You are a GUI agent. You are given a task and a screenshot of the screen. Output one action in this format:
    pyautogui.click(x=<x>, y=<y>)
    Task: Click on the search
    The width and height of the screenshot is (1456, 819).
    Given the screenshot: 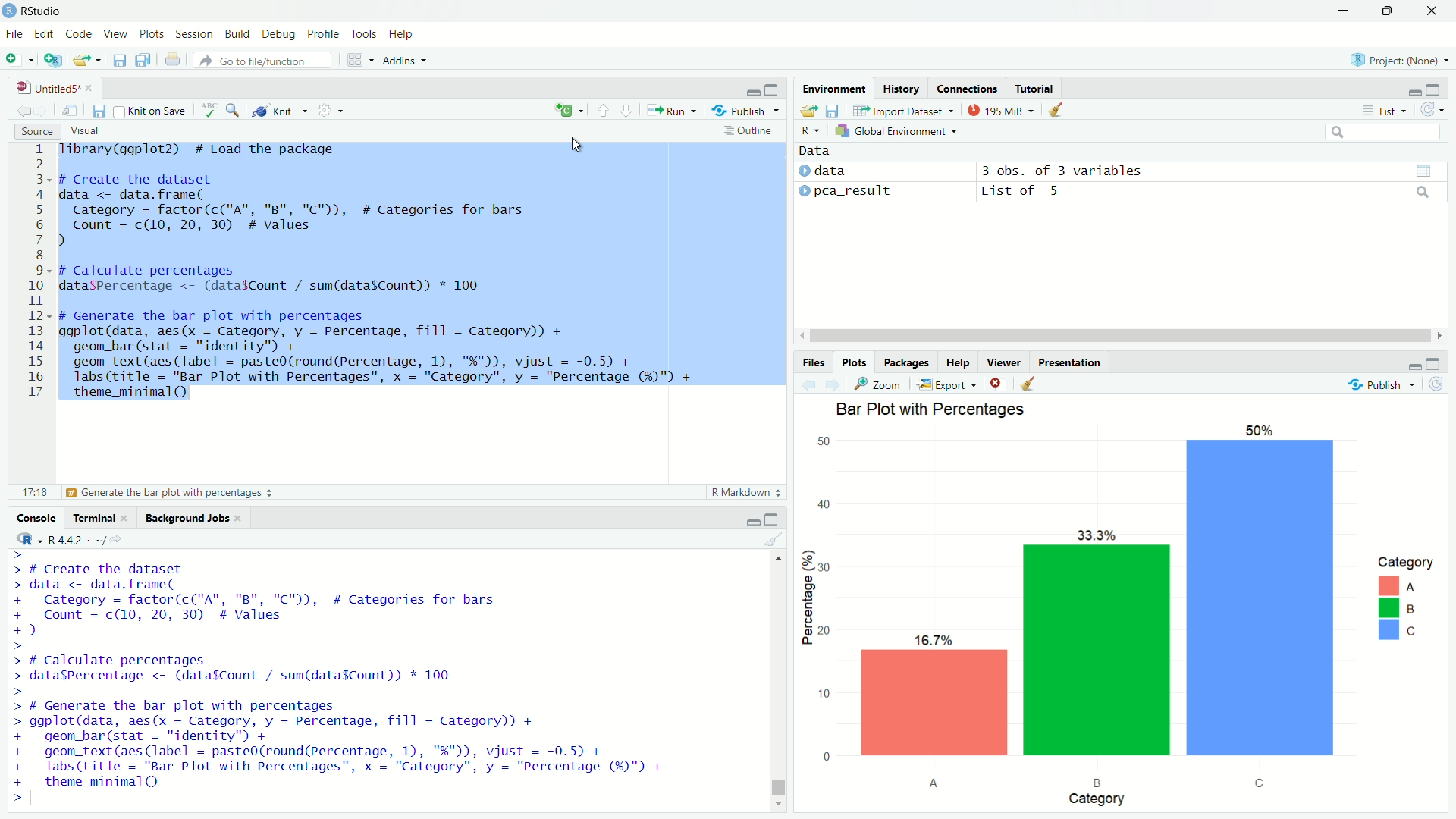 What is the action you would take?
    pyautogui.click(x=1382, y=131)
    